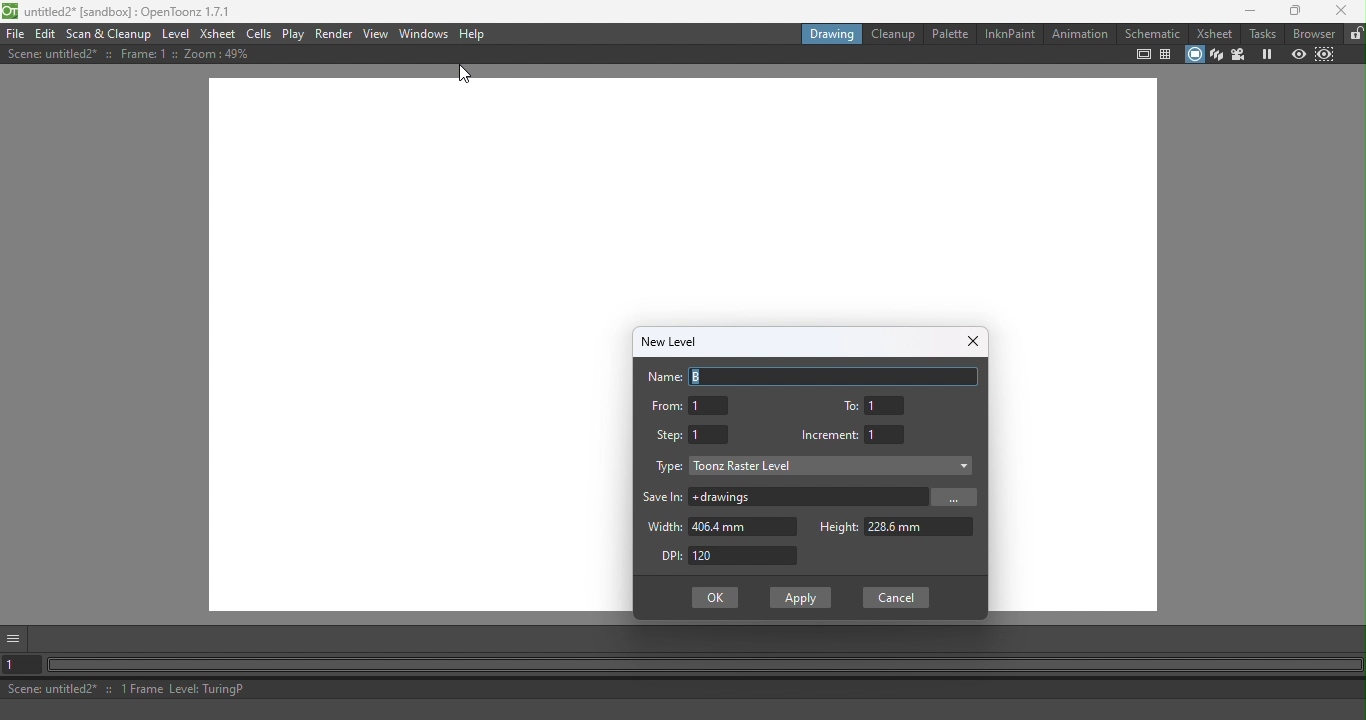 This screenshot has width=1366, height=720. Describe the element at coordinates (1262, 54) in the screenshot. I see `Freeze` at that location.